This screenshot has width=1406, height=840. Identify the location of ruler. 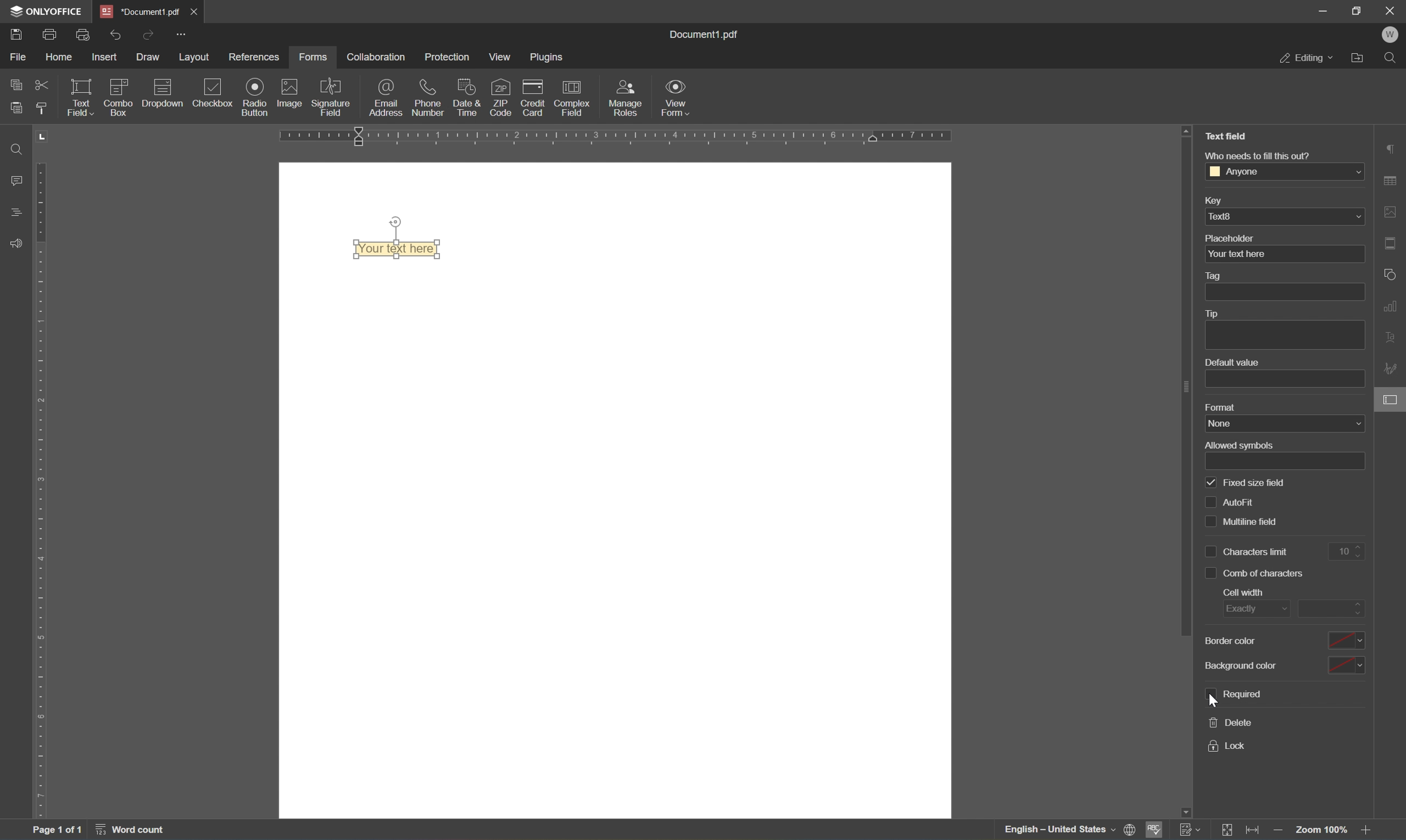
(45, 491).